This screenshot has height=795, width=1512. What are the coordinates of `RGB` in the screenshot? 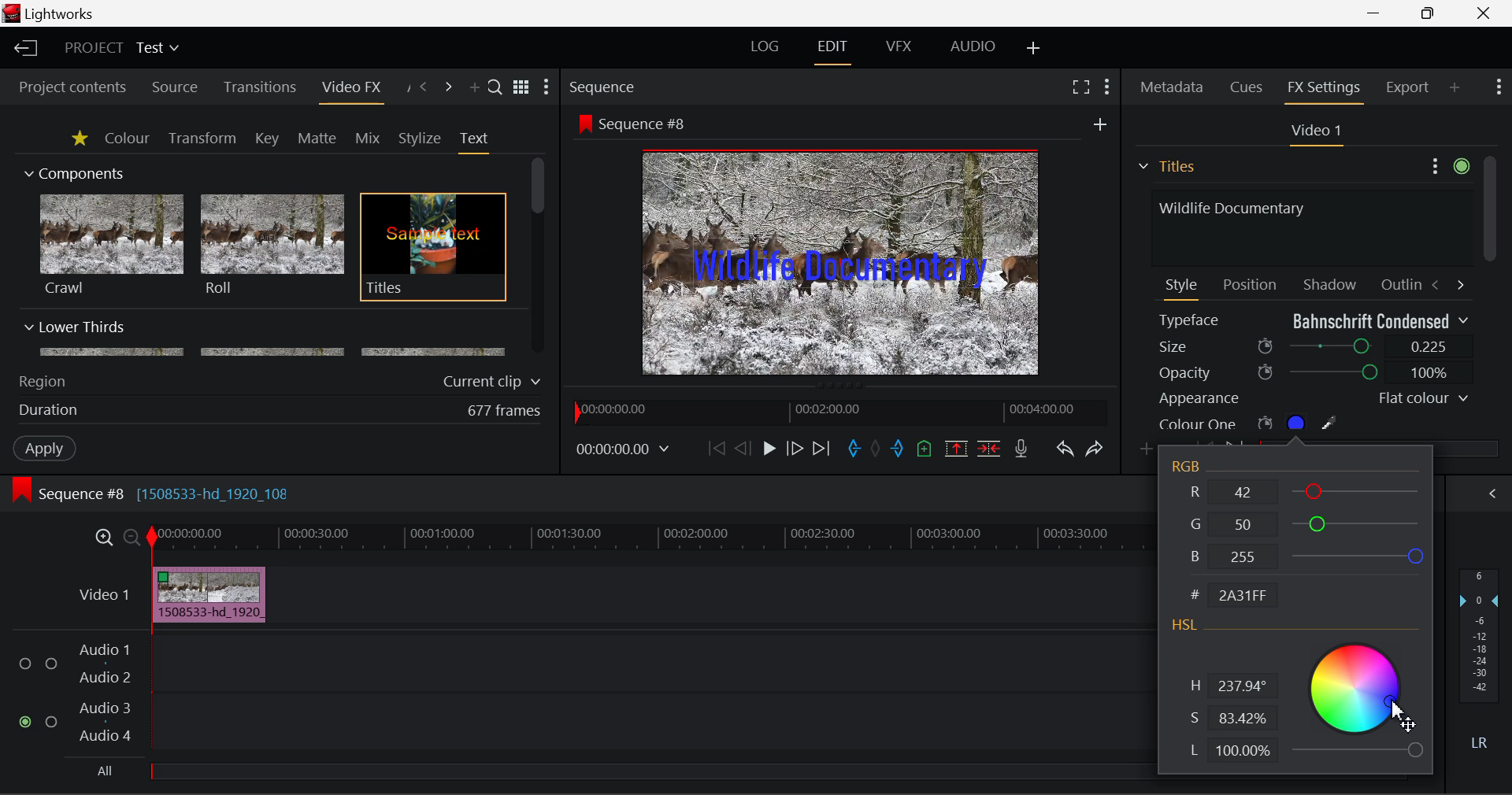 It's located at (1189, 467).